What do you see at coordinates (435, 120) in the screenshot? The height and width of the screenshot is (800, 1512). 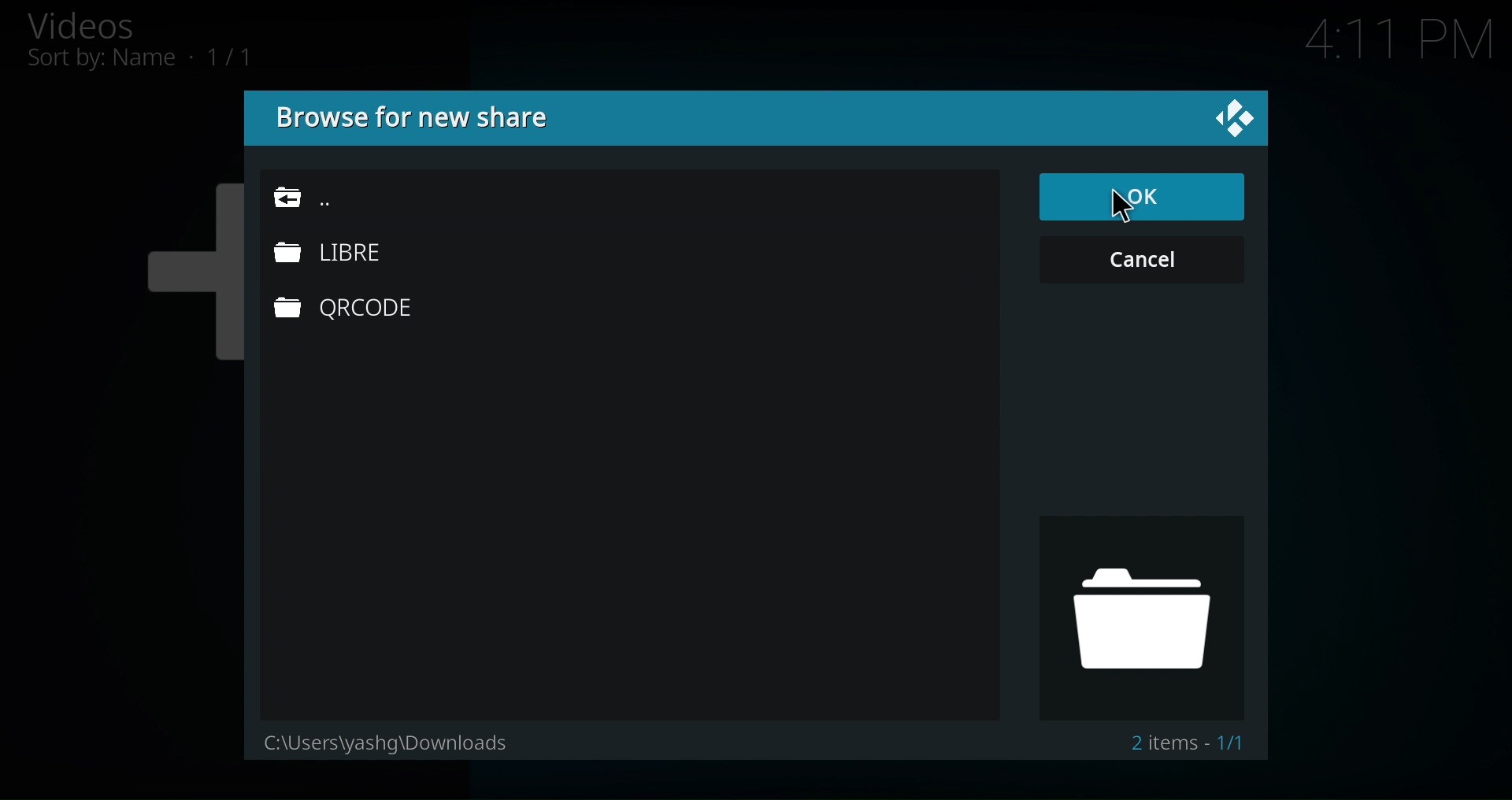 I see `Browse for new share` at bounding box center [435, 120].